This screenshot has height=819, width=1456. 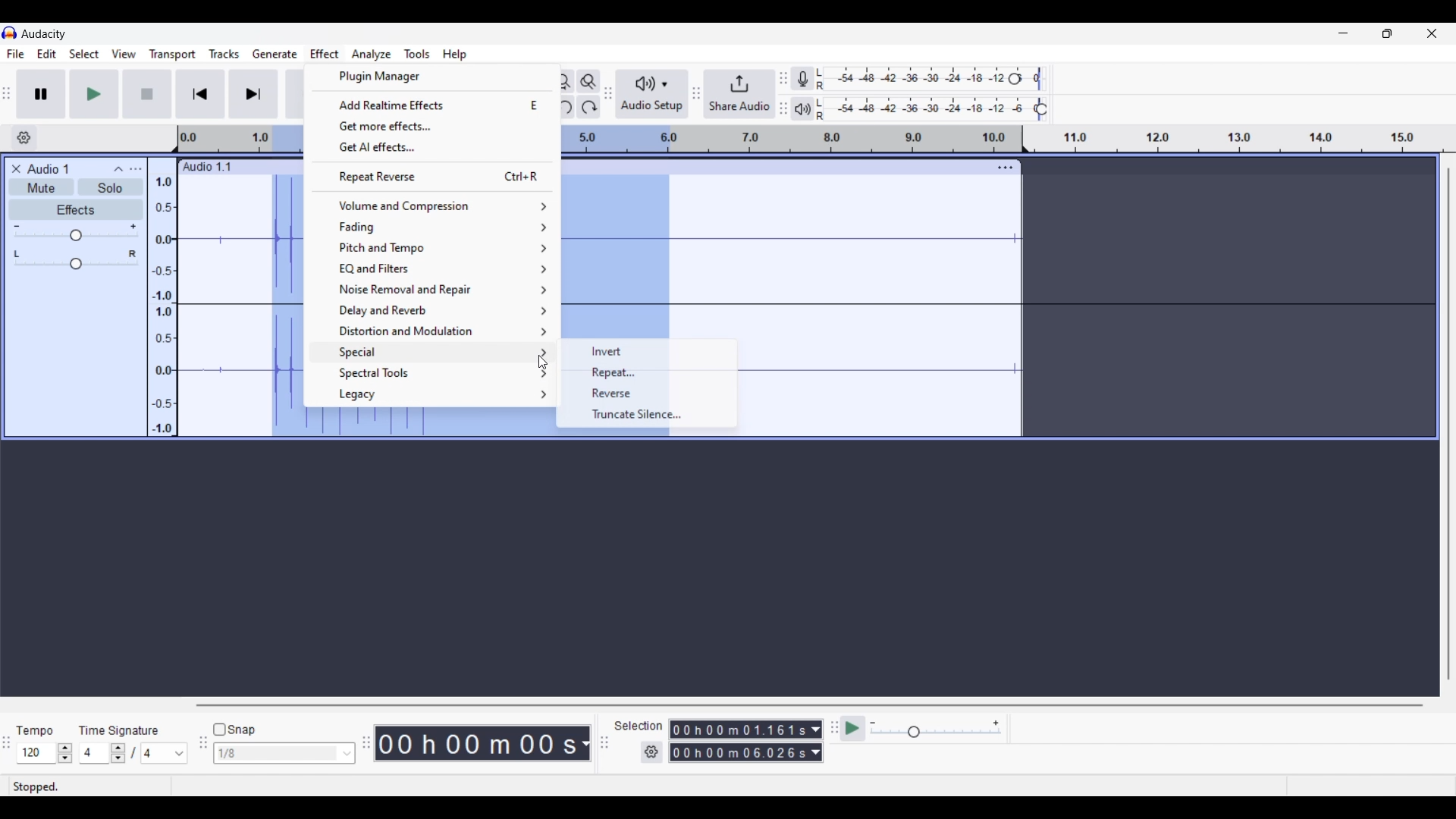 What do you see at coordinates (738, 741) in the screenshot?
I see `Selection duration` at bounding box center [738, 741].